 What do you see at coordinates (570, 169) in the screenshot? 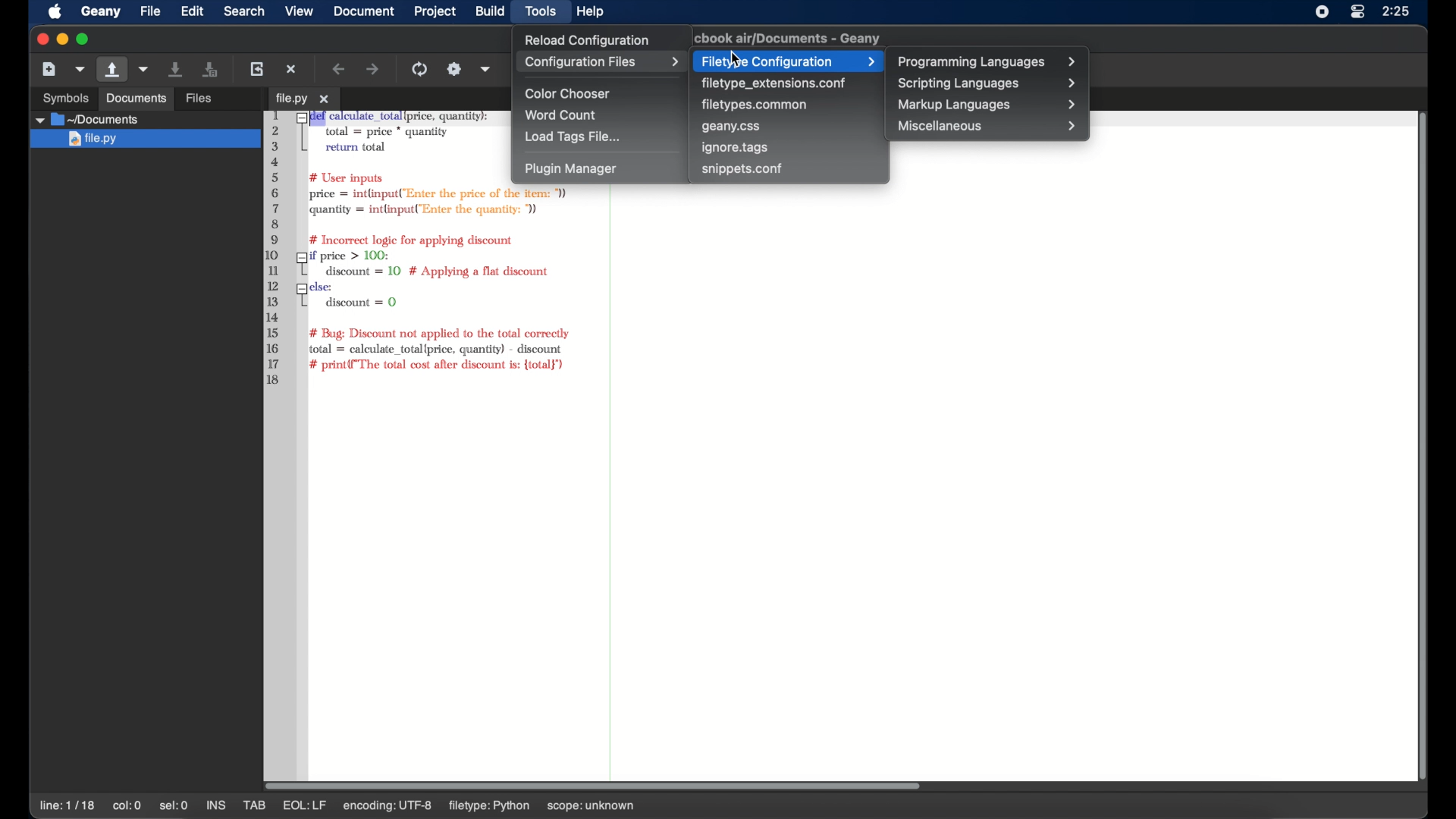
I see `plugin manager` at bounding box center [570, 169].